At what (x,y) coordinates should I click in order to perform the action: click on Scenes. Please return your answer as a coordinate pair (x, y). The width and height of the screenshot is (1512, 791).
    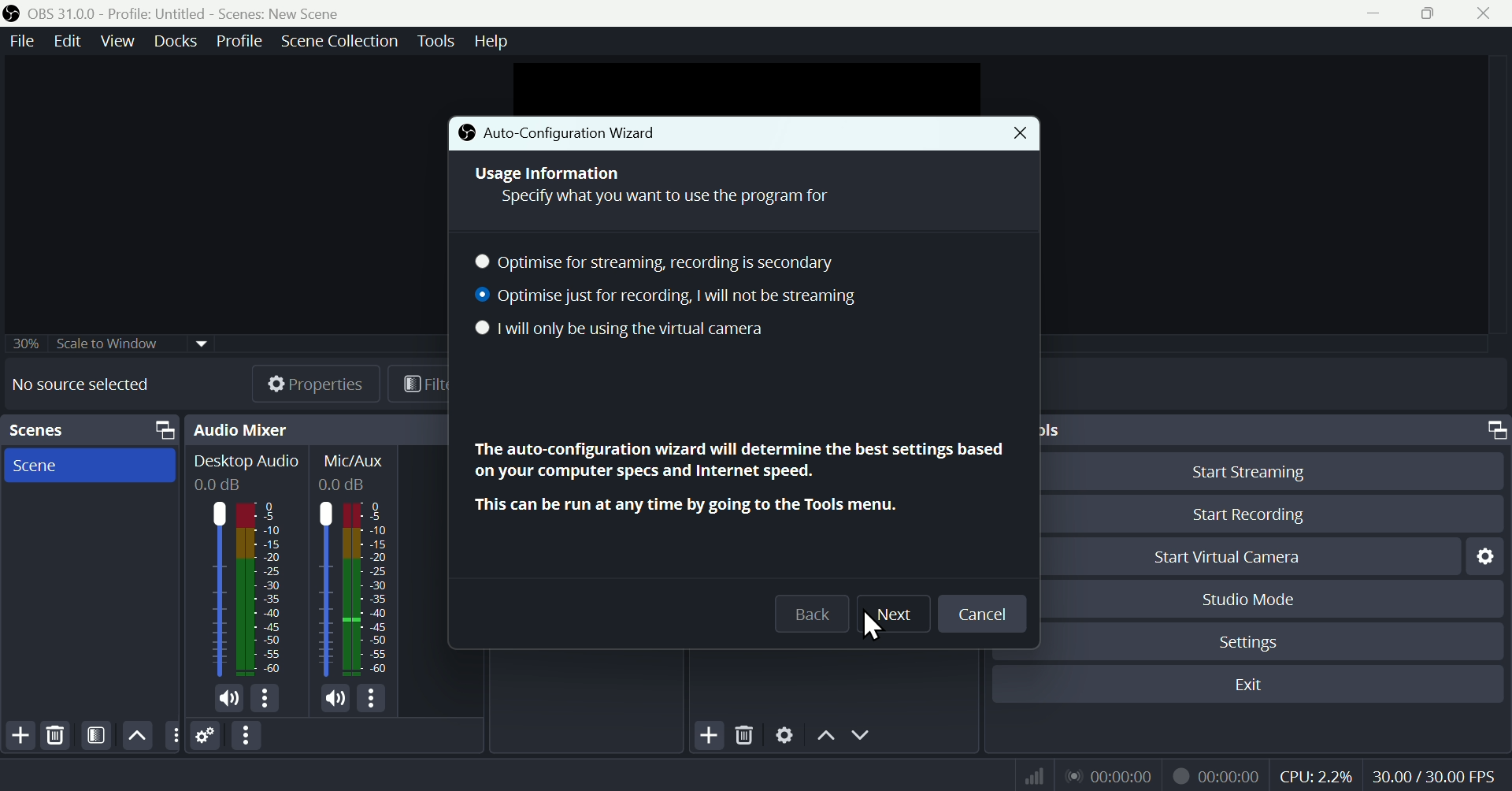
    Looking at the image, I should click on (36, 429).